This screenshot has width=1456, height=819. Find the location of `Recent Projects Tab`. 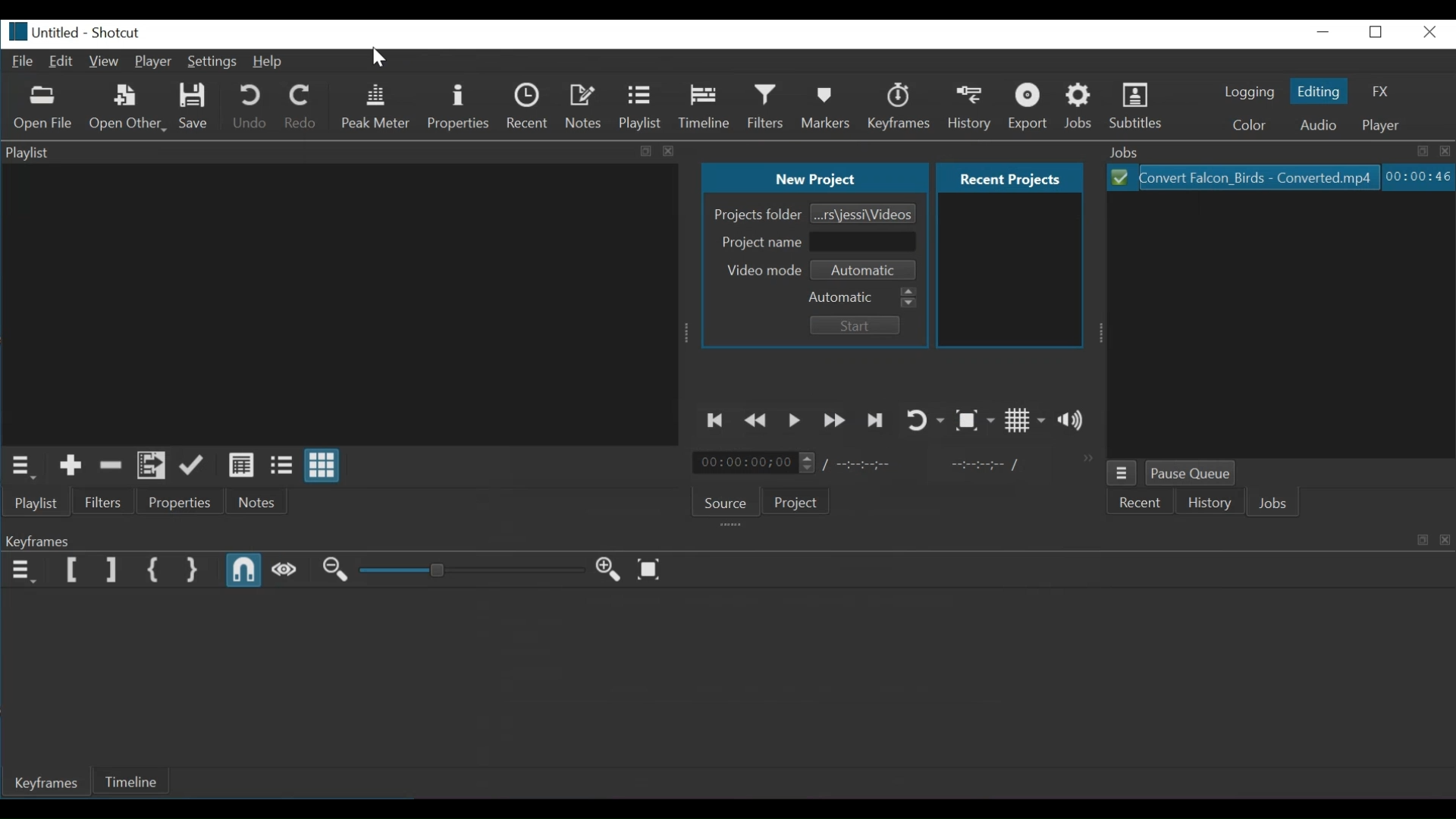

Recent Projects Tab is located at coordinates (1007, 177).